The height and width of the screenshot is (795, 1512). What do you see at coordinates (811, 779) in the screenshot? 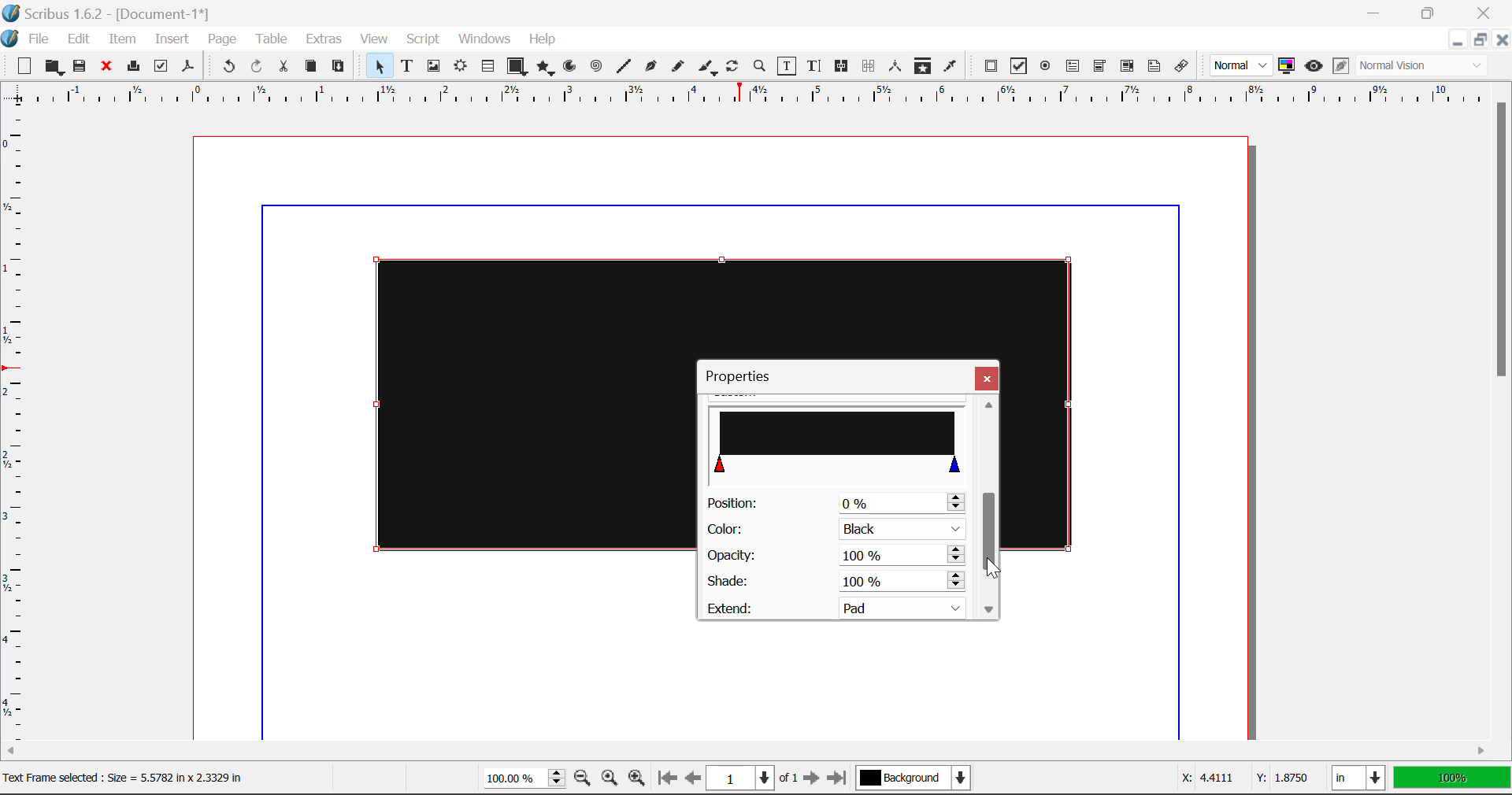
I see `Next Page` at bounding box center [811, 779].